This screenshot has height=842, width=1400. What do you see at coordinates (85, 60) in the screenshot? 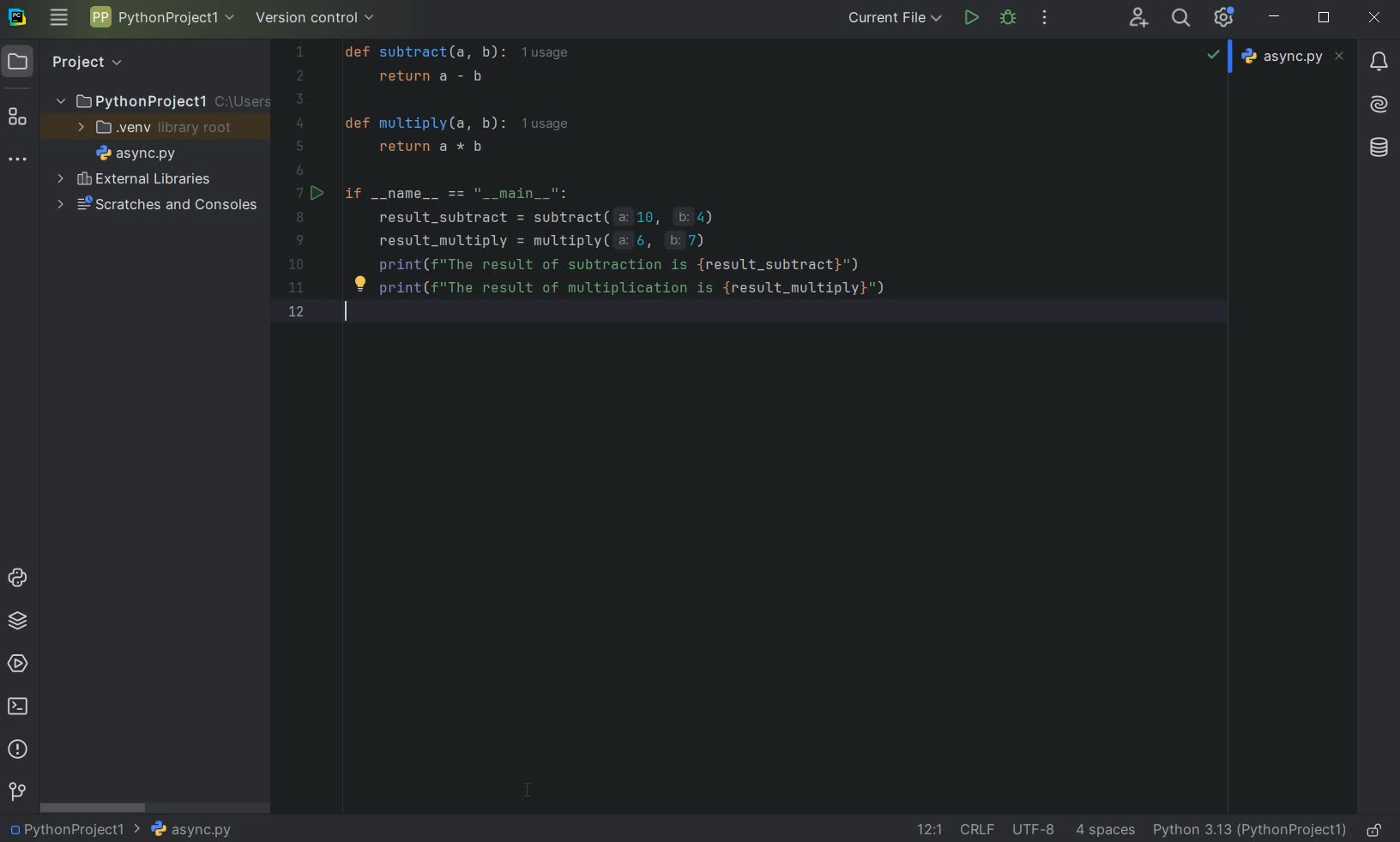
I see `Project` at bounding box center [85, 60].